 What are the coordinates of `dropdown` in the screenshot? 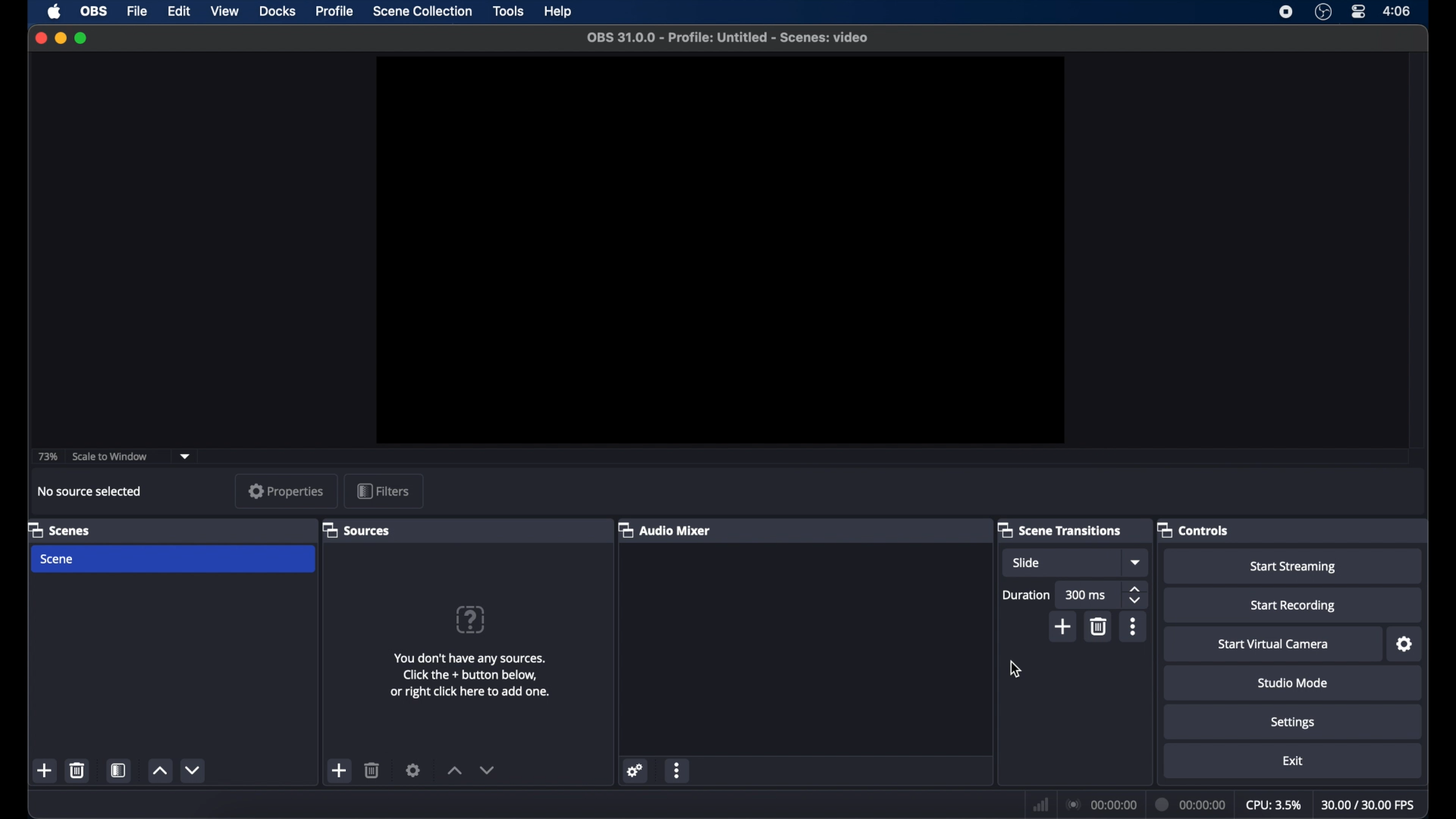 It's located at (1137, 563).